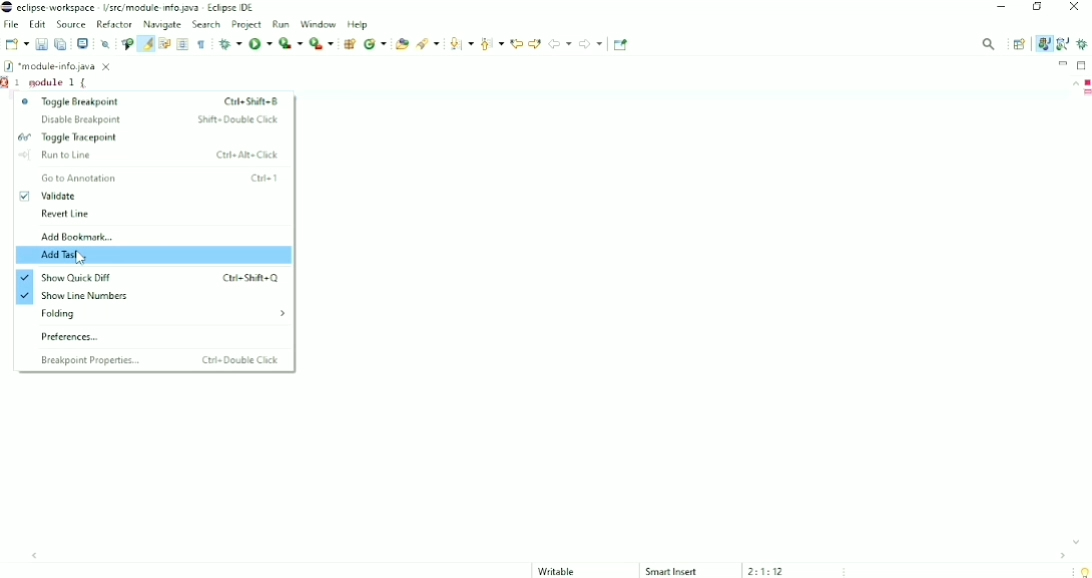  I want to click on Validate, so click(52, 197).